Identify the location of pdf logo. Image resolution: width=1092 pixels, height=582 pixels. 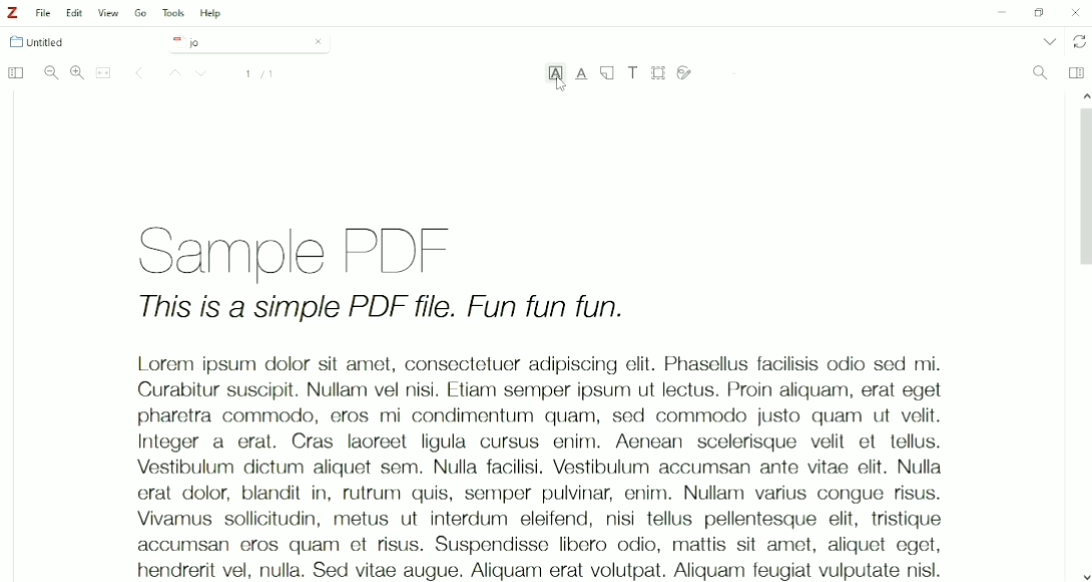
(174, 41).